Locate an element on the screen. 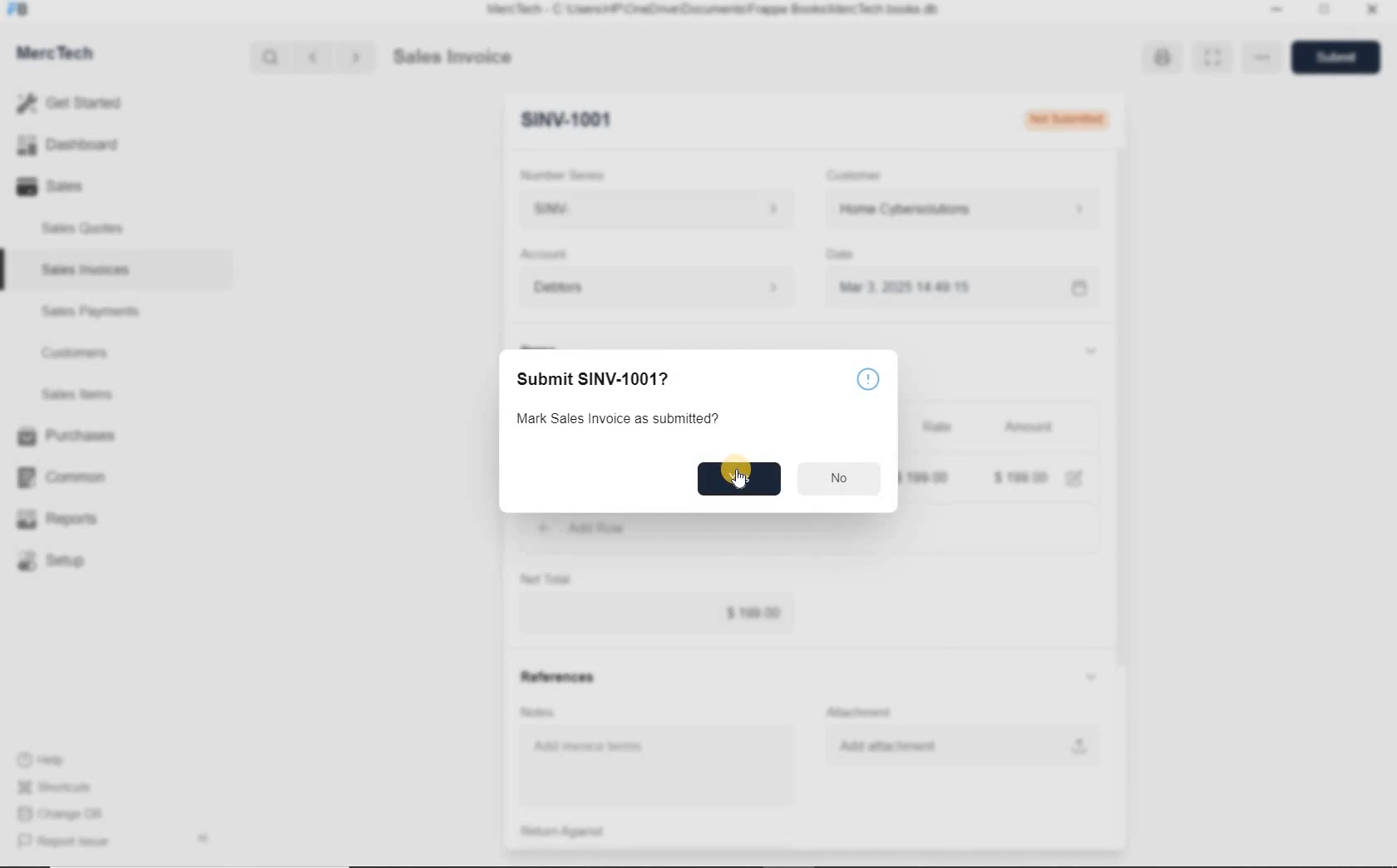 The height and width of the screenshot is (868, 1397). Hide Sidebar is located at coordinates (202, 837).